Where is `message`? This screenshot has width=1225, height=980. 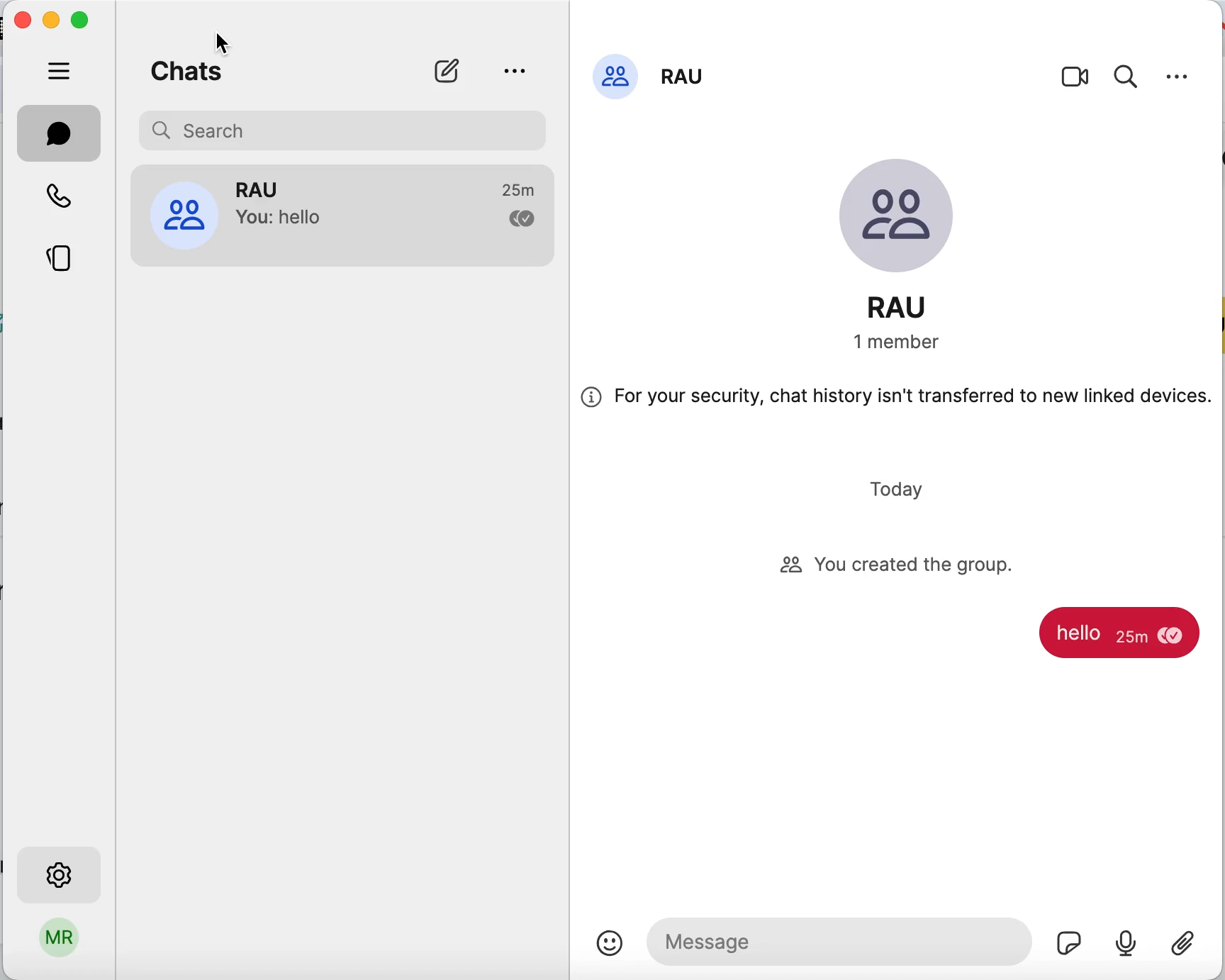
message is located at coordinates (841, 944).